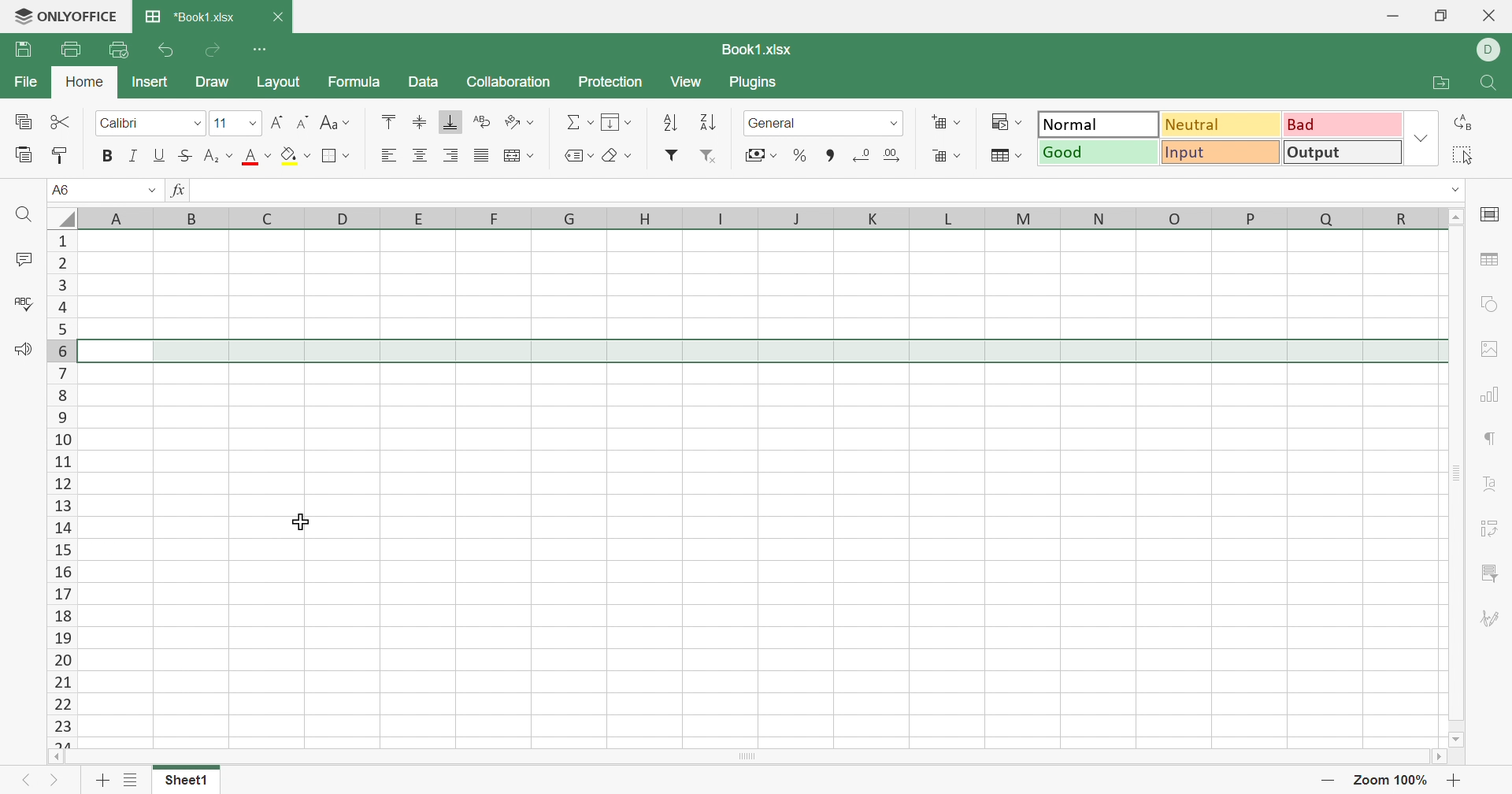 The width and height of the screenshot is (1512, 794). I want to click on Replace, so click(1467, 122).